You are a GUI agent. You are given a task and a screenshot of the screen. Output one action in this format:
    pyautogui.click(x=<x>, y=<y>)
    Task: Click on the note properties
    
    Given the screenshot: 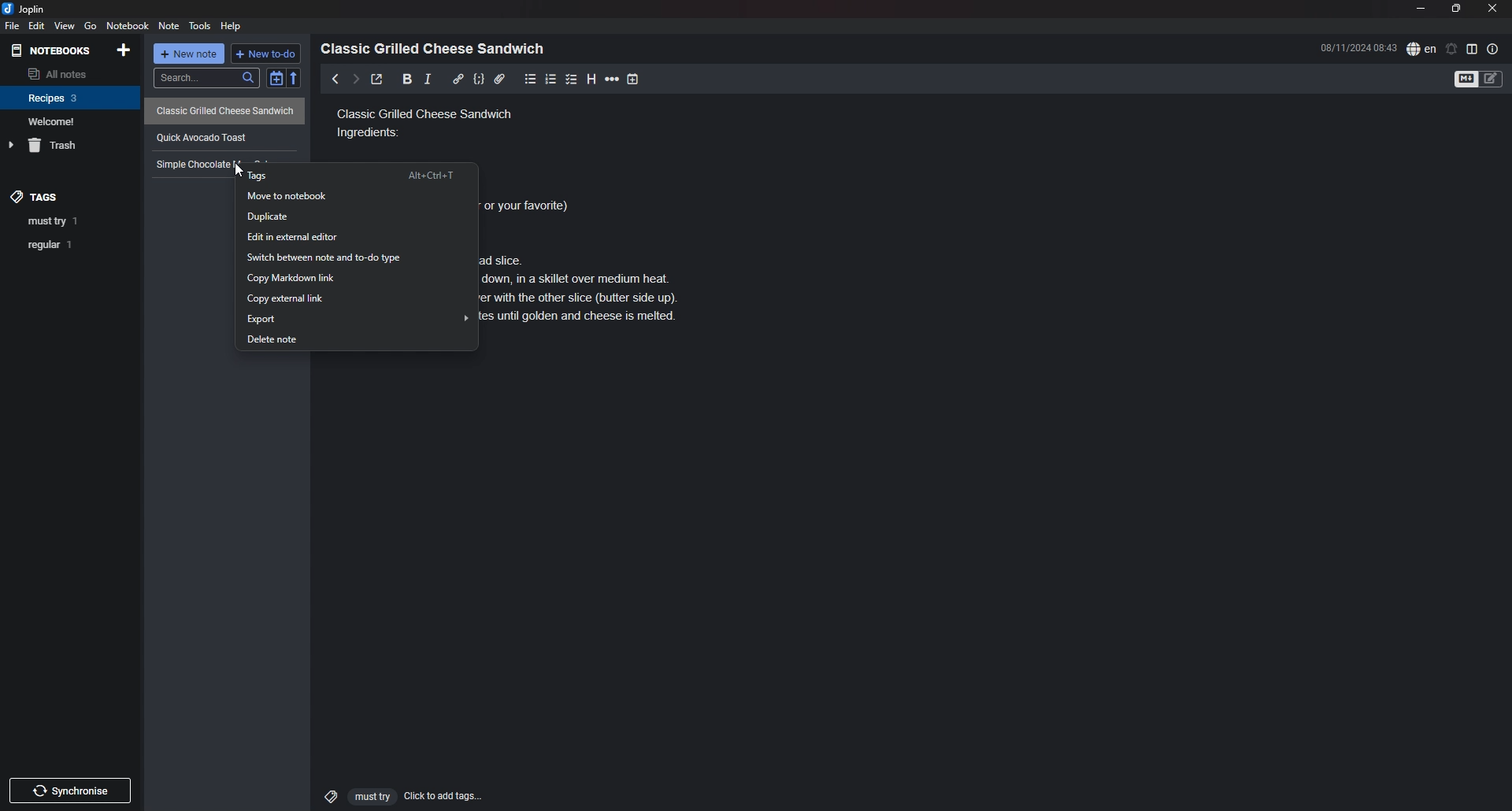 What is the action you would take?
    pyautogui.click(x=1493, y=49)
    